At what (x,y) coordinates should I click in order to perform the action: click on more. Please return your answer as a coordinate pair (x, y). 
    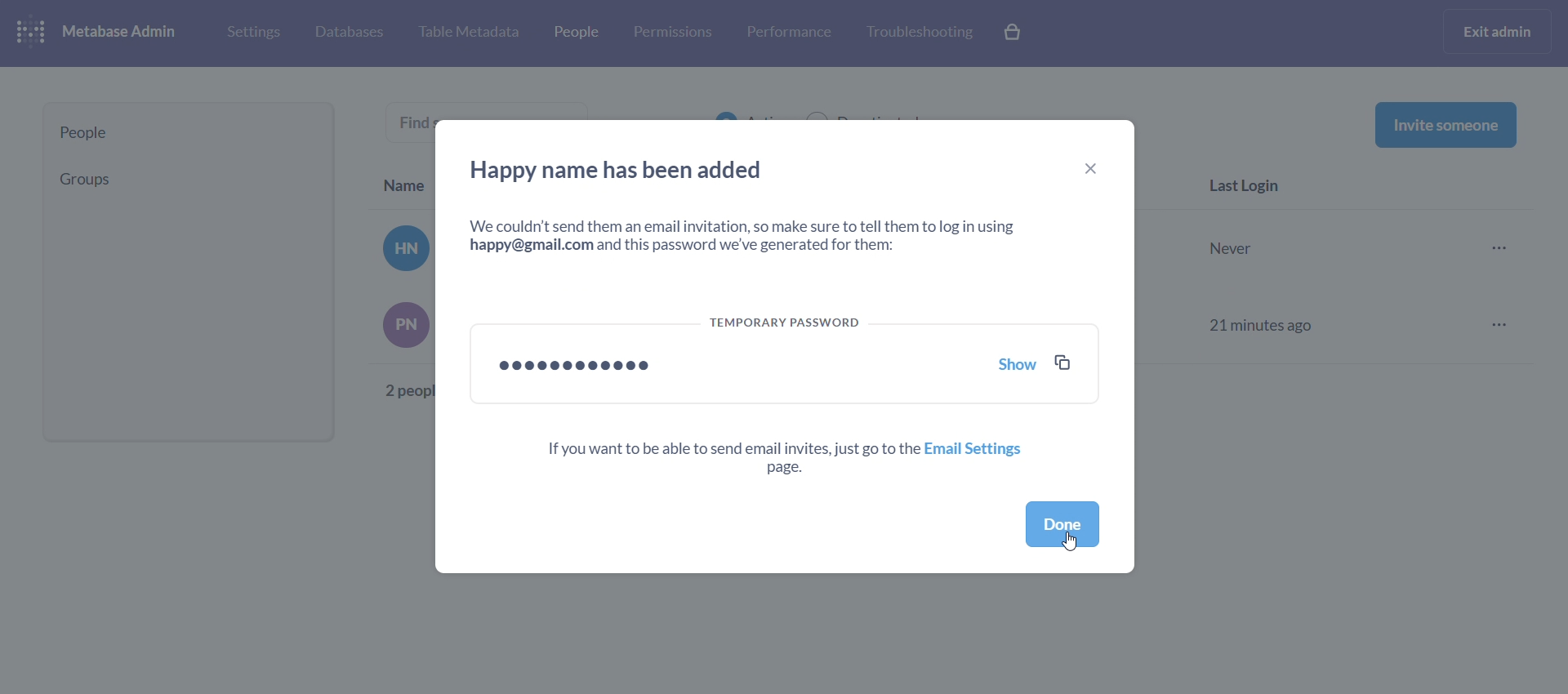
    Looking at the image, I should click on (1502, 324).